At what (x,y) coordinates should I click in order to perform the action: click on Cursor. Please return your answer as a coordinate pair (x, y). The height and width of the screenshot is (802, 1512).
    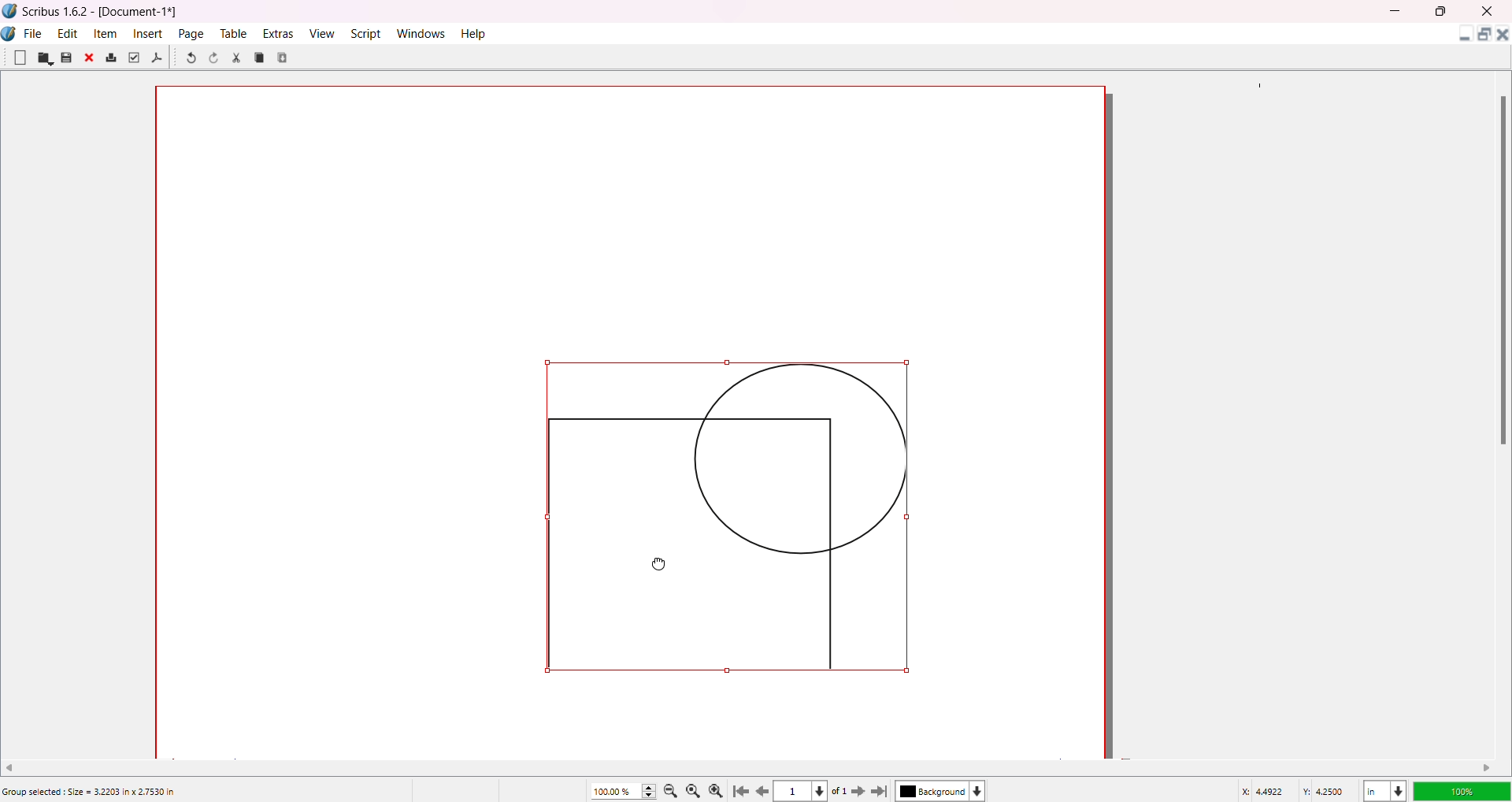
    Looking at the image, I should click on (658, 565).